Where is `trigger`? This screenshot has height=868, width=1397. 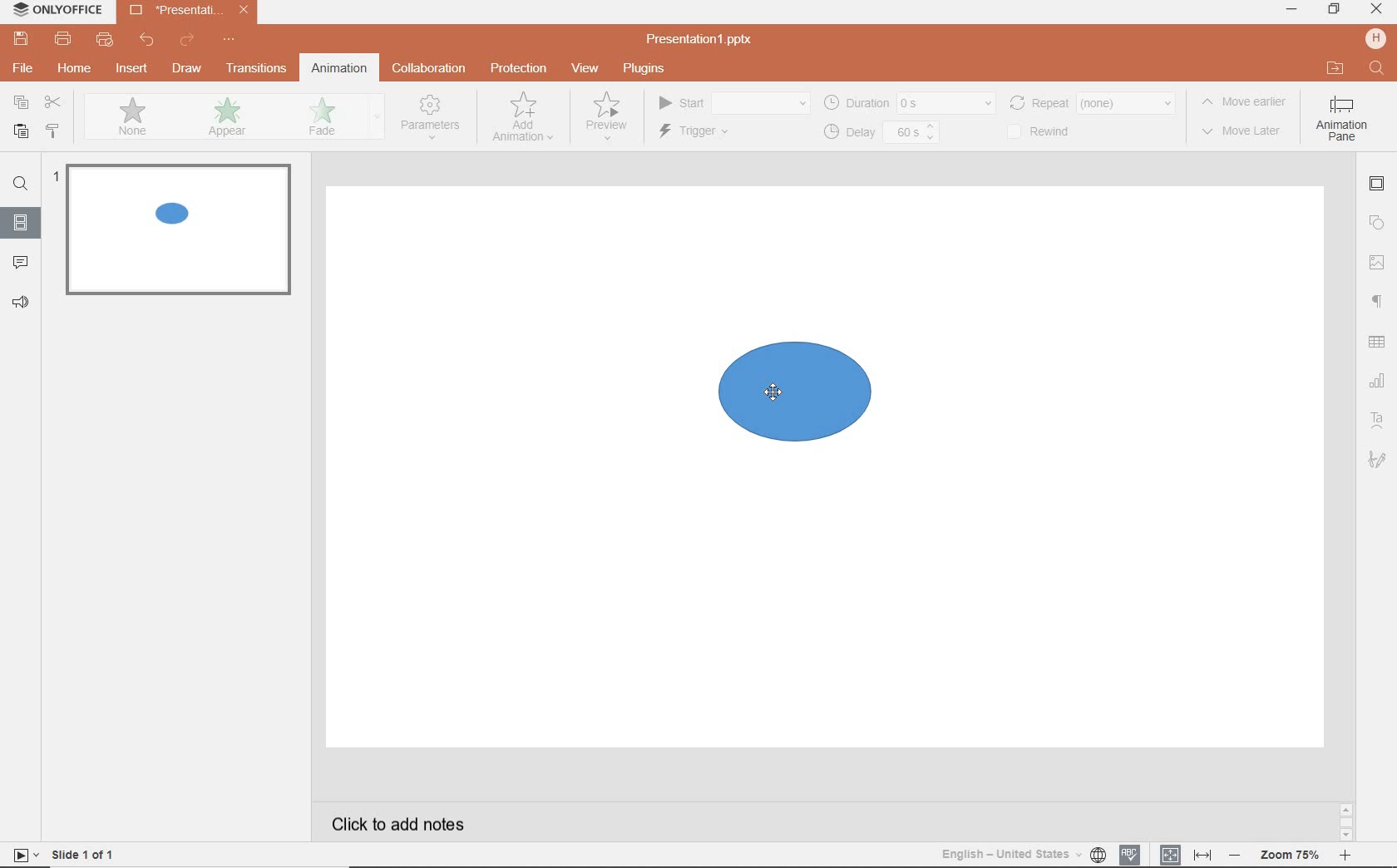 trigger is located at coordinates (716, 133).